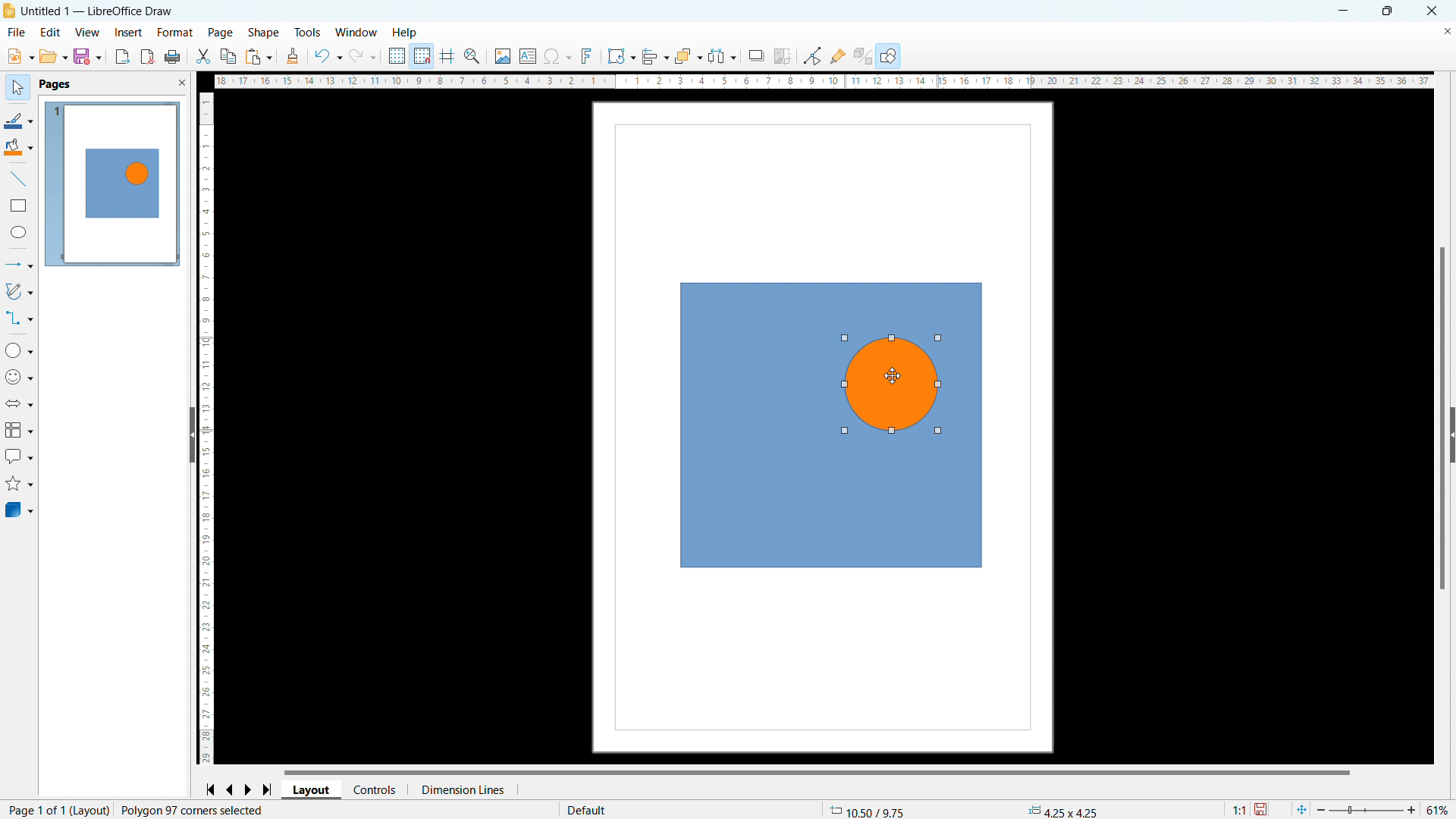 The width and height of the screenshot is (1456, 819). Describe the element at coordinates (1452, 434) in the screenshot. I see `expand pane` at that location.